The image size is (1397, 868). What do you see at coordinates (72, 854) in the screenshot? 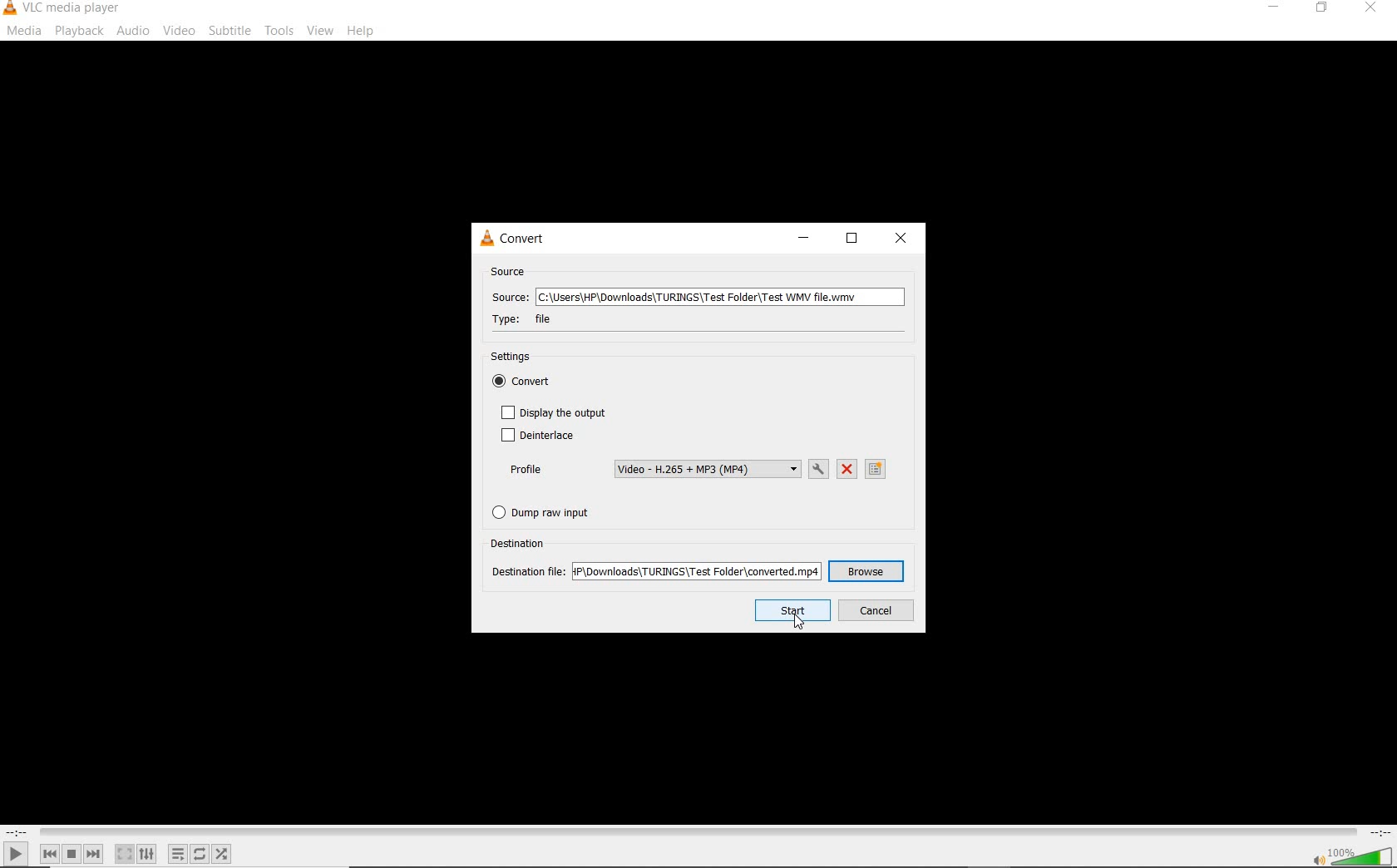
I see `stop` at bounding box center [72, 854].